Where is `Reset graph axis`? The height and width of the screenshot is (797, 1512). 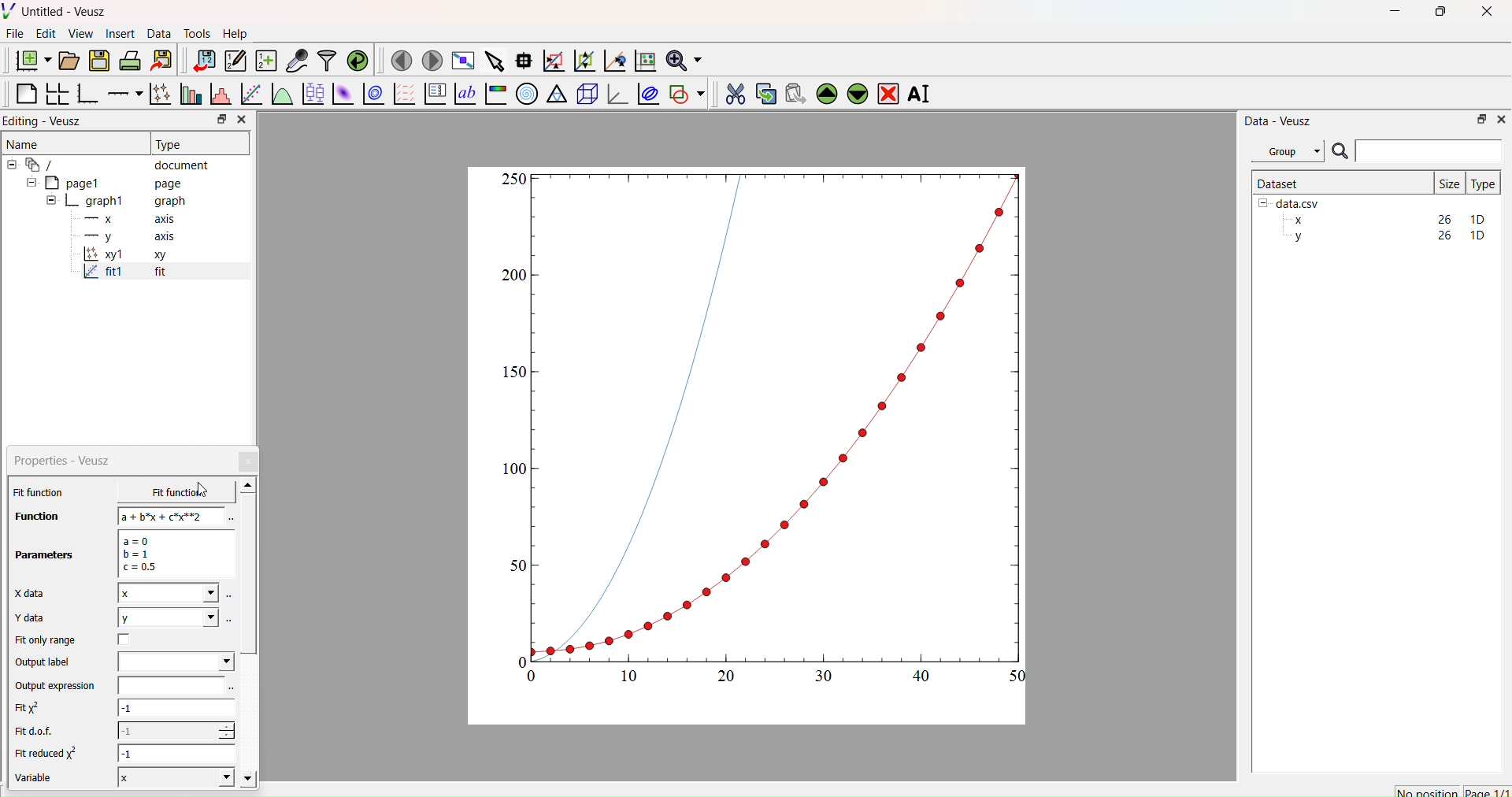
Reset graph axis is located at coordinates (643, 60).